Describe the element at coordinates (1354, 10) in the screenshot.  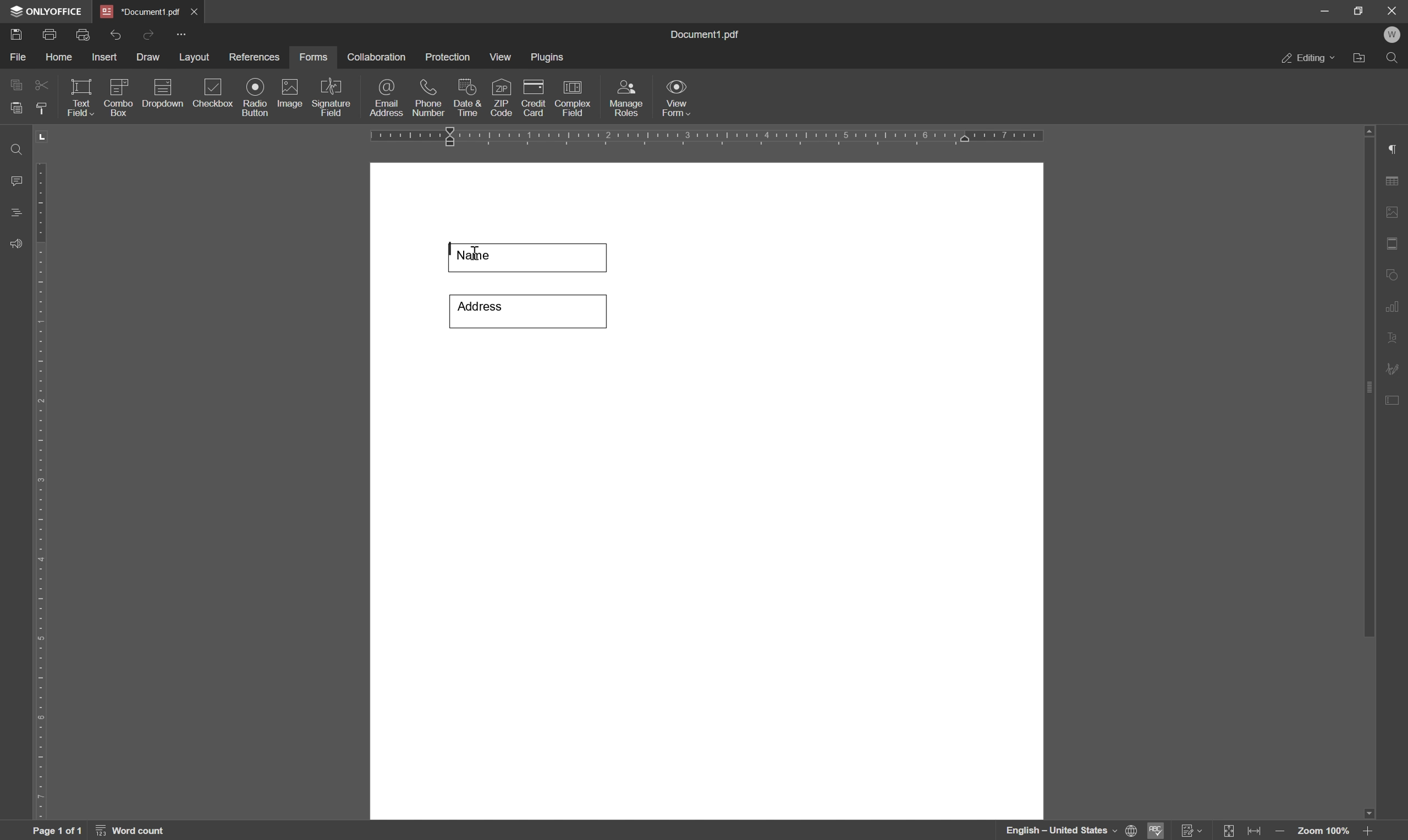
I see `restore down` at that location.